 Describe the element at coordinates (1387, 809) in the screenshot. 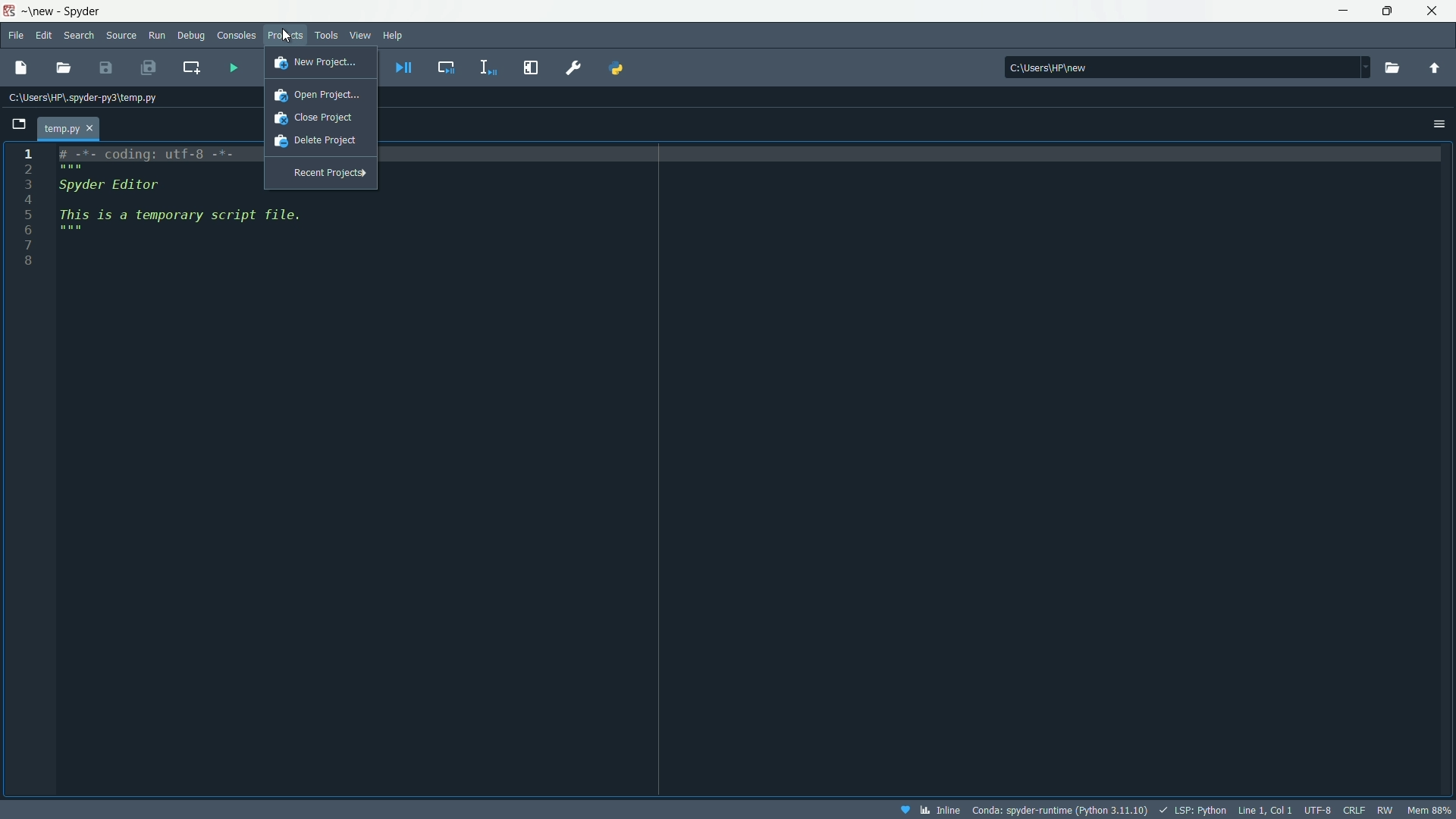

I see `rw` at that location.